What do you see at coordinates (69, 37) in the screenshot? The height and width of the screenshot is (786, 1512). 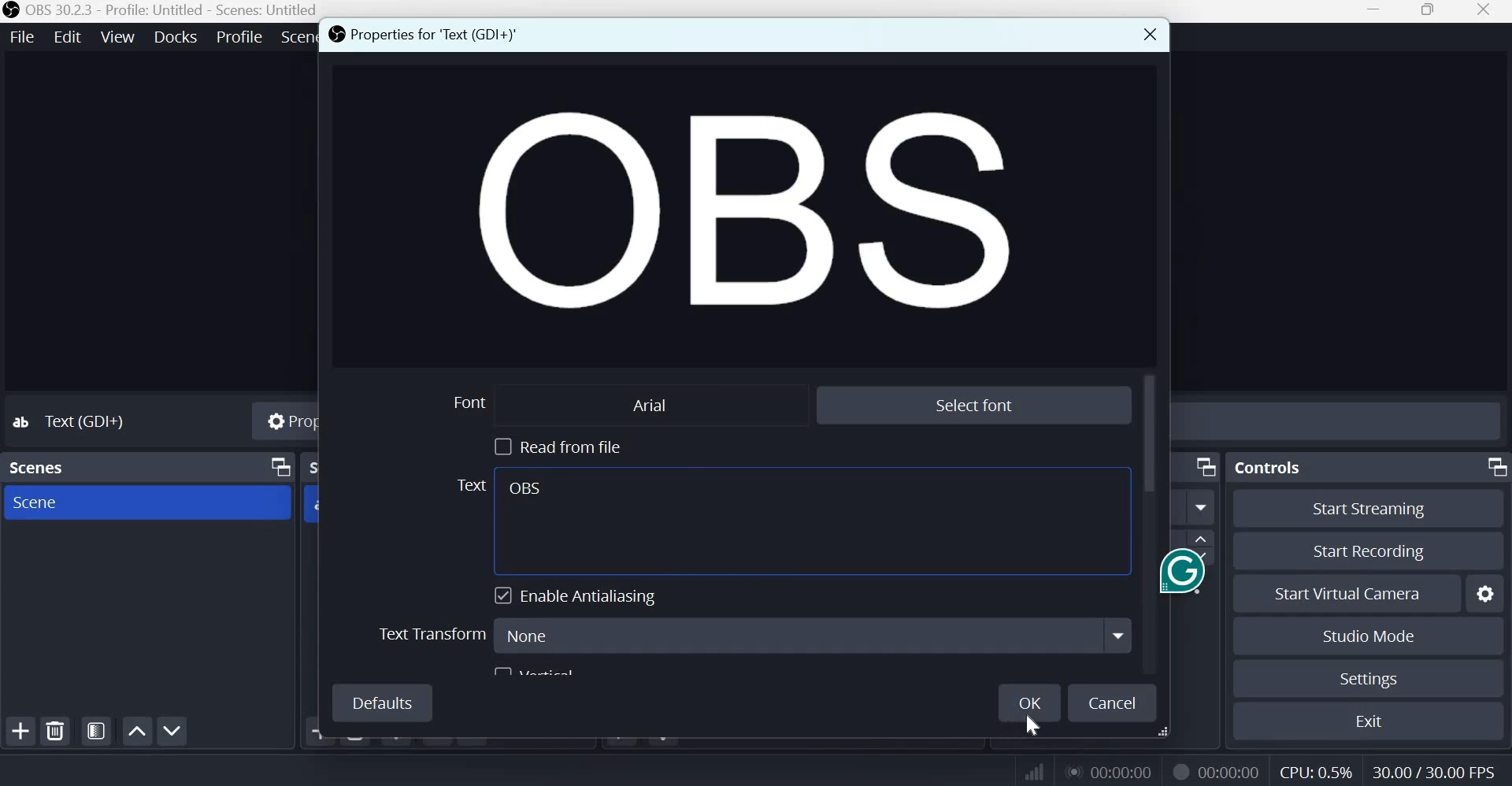 I see `Edit` at bounding box center [69, 37].